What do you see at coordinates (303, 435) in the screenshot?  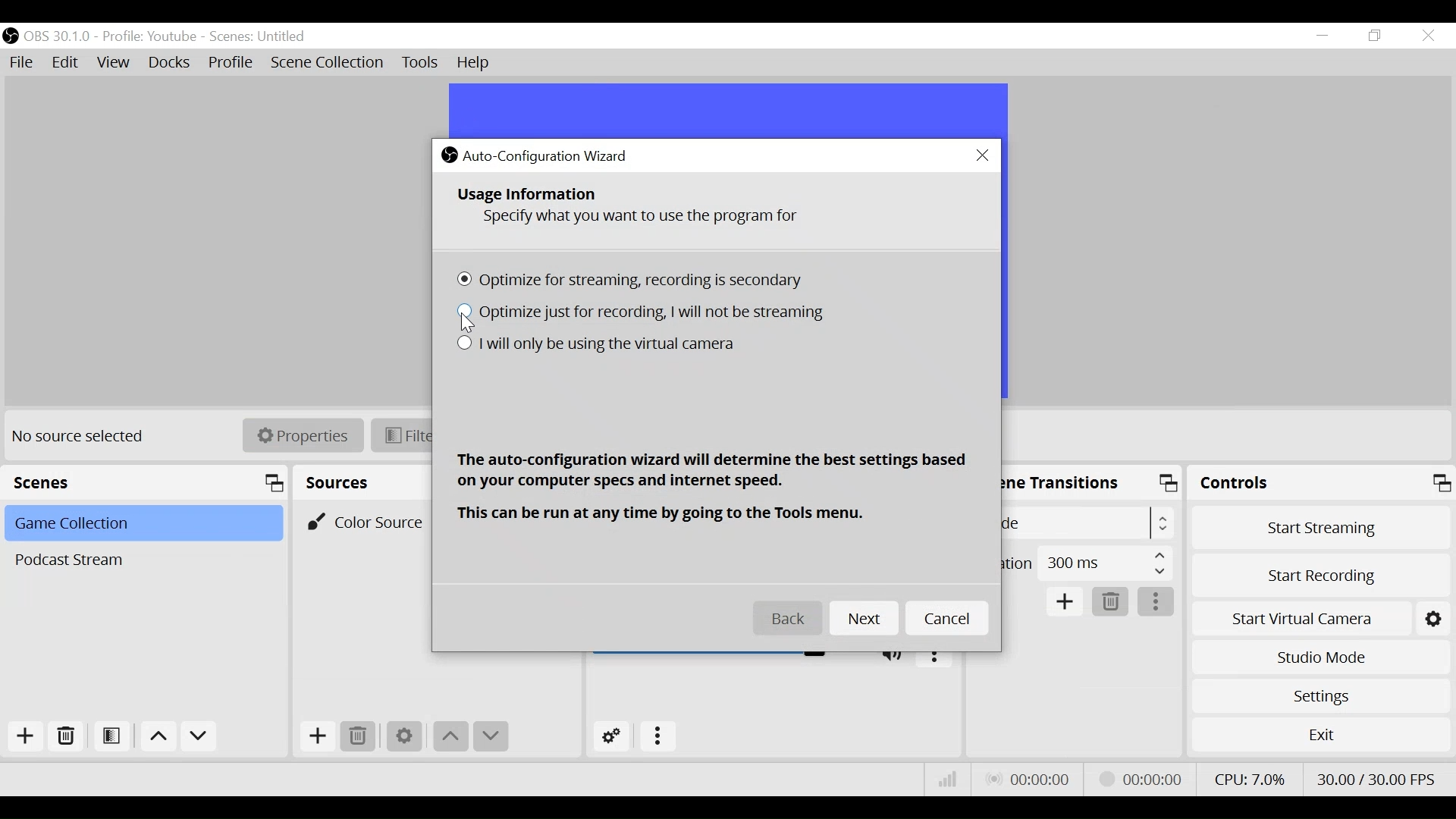 I see `Properties` at bounding box center [303, 435].